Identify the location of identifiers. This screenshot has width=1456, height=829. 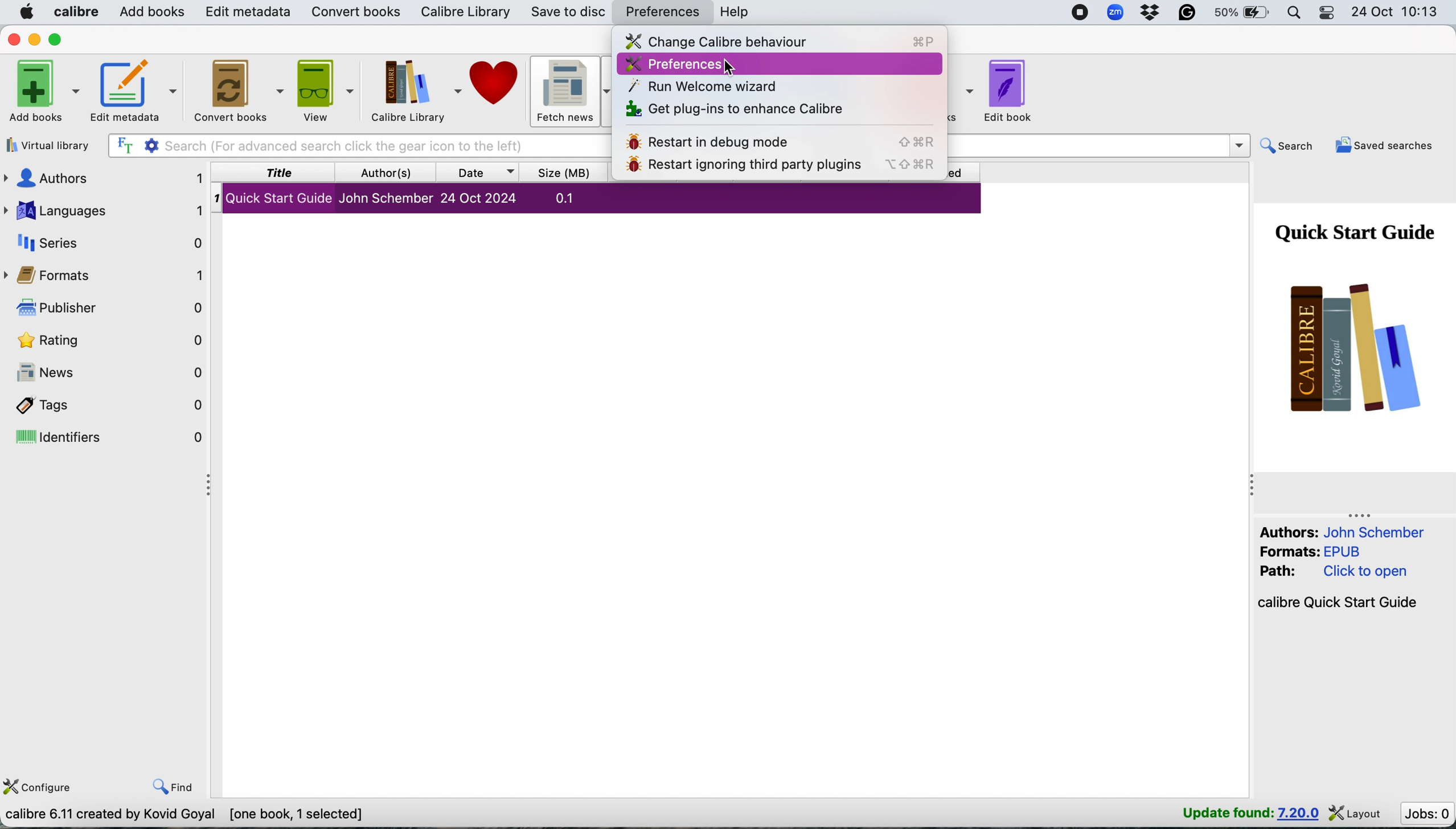
(110, 440).